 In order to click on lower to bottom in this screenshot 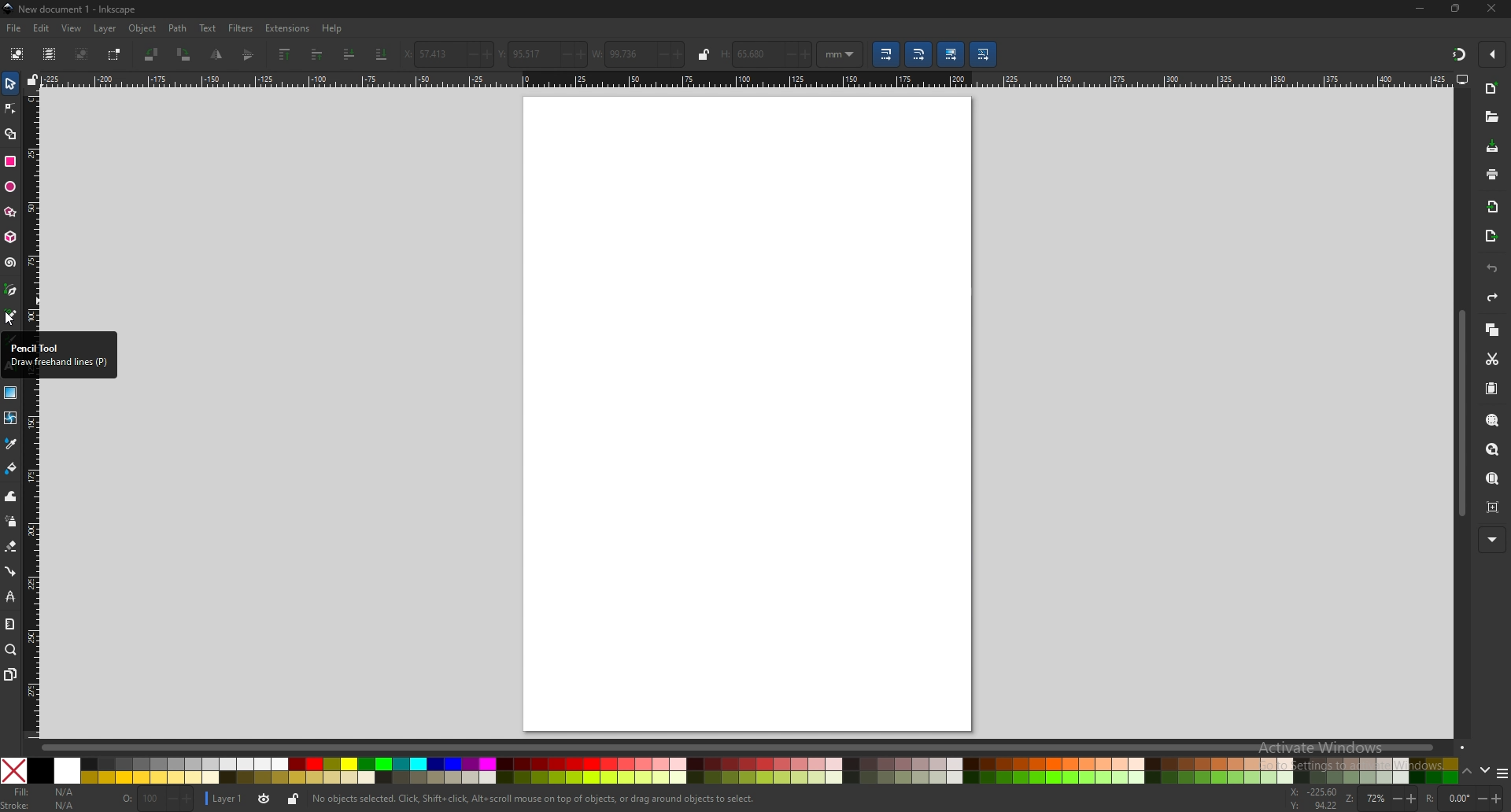, I will do `click(382, 54)`.